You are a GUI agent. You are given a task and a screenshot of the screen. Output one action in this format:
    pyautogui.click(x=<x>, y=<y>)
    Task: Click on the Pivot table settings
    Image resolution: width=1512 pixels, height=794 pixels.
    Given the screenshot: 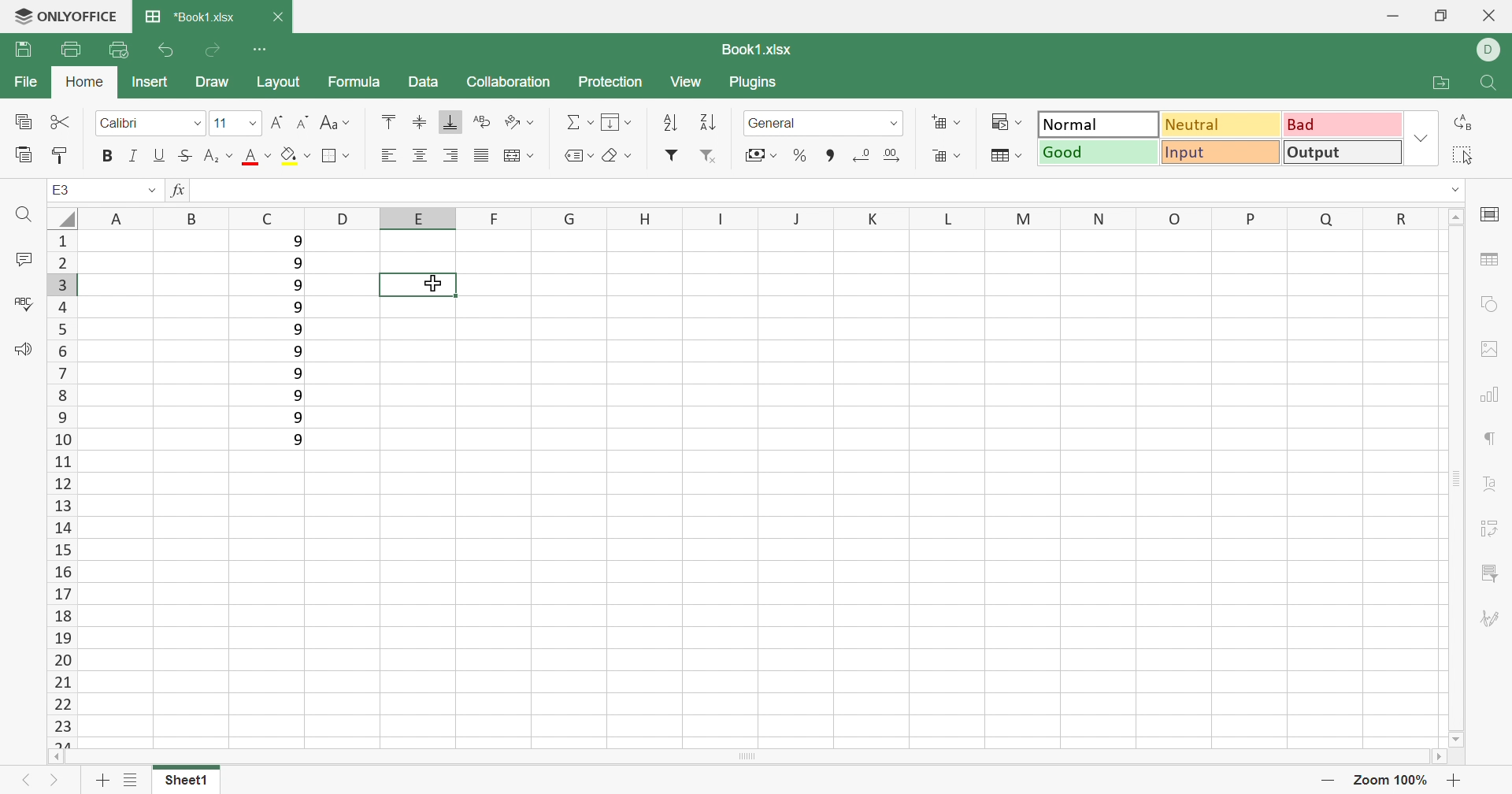 What is the action you would take?
    pyautogui.click(x=1490, y=530)
    